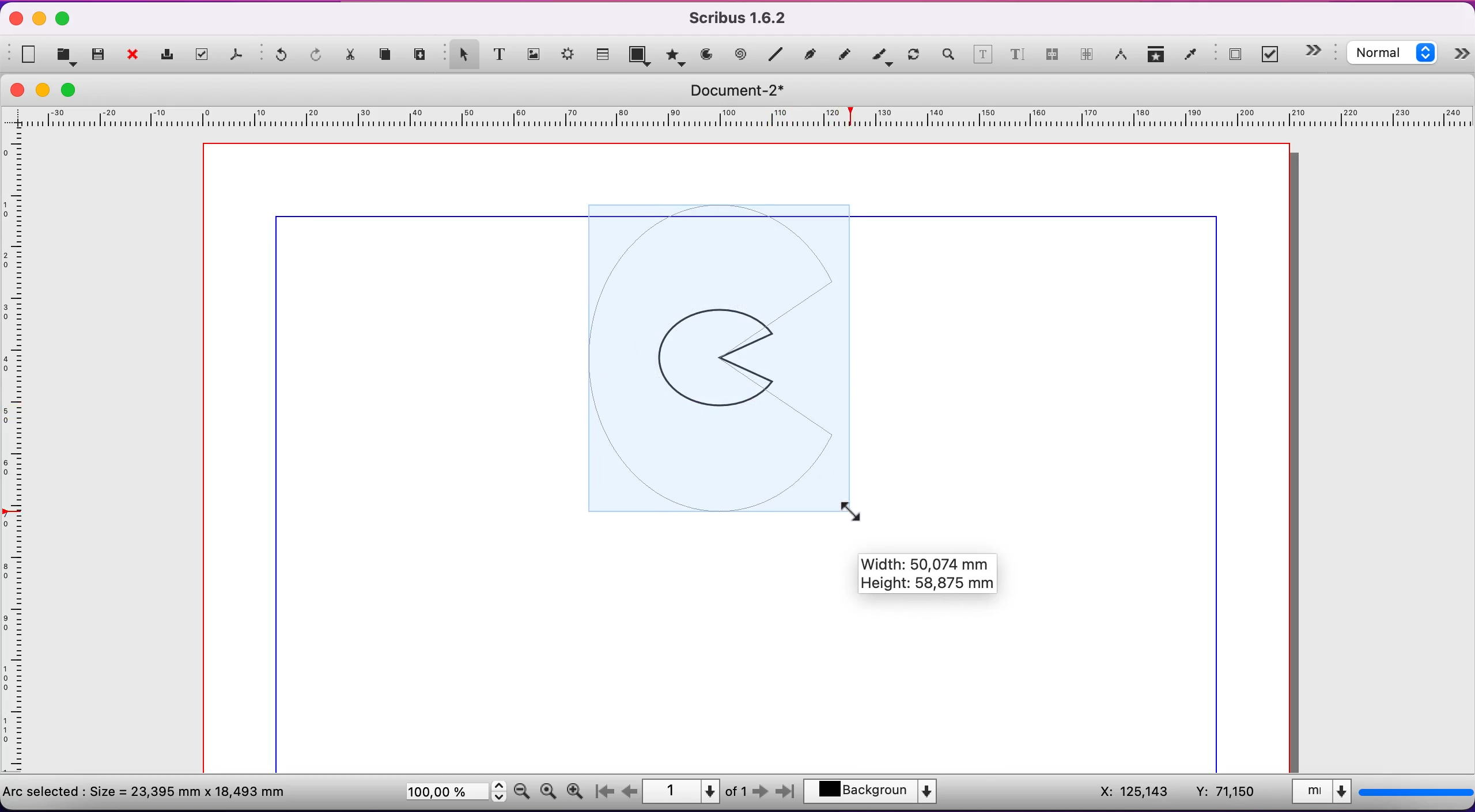 This screenshot has height=812, width=1475. Describe the element at coordinates (154, 790) in the screenshot. I see `arc selectes size` at that location.